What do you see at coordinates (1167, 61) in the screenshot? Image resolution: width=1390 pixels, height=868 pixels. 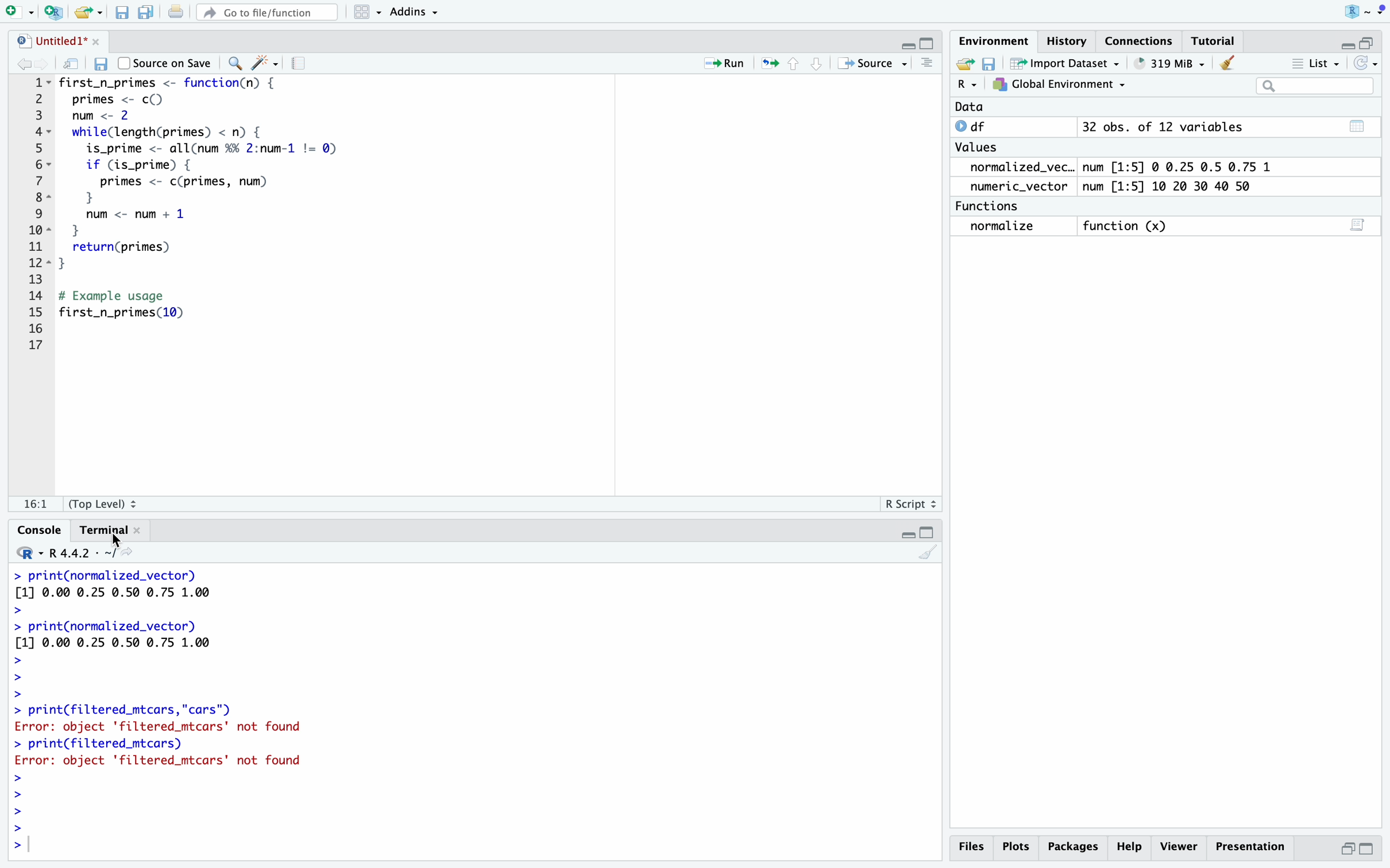 I see `® 651 MiB ` at bounding box center [1167, 61].